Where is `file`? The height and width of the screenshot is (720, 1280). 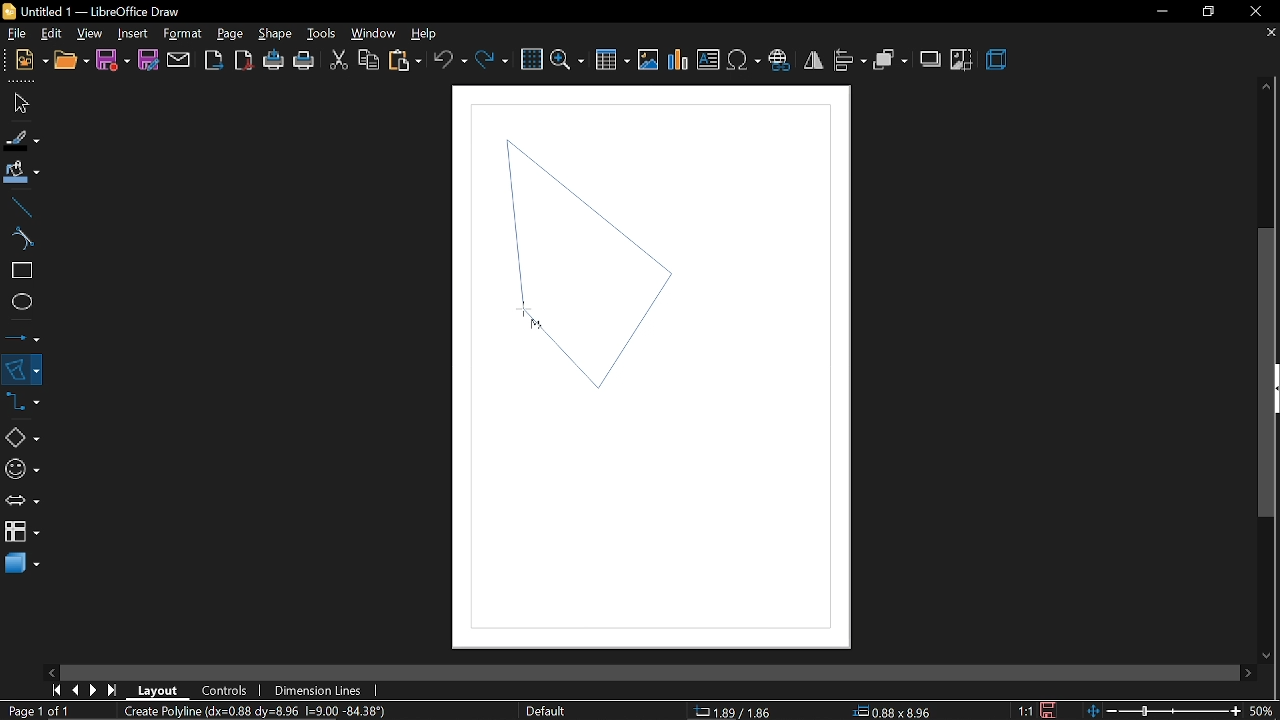
file is located at coordinates (17, 34).